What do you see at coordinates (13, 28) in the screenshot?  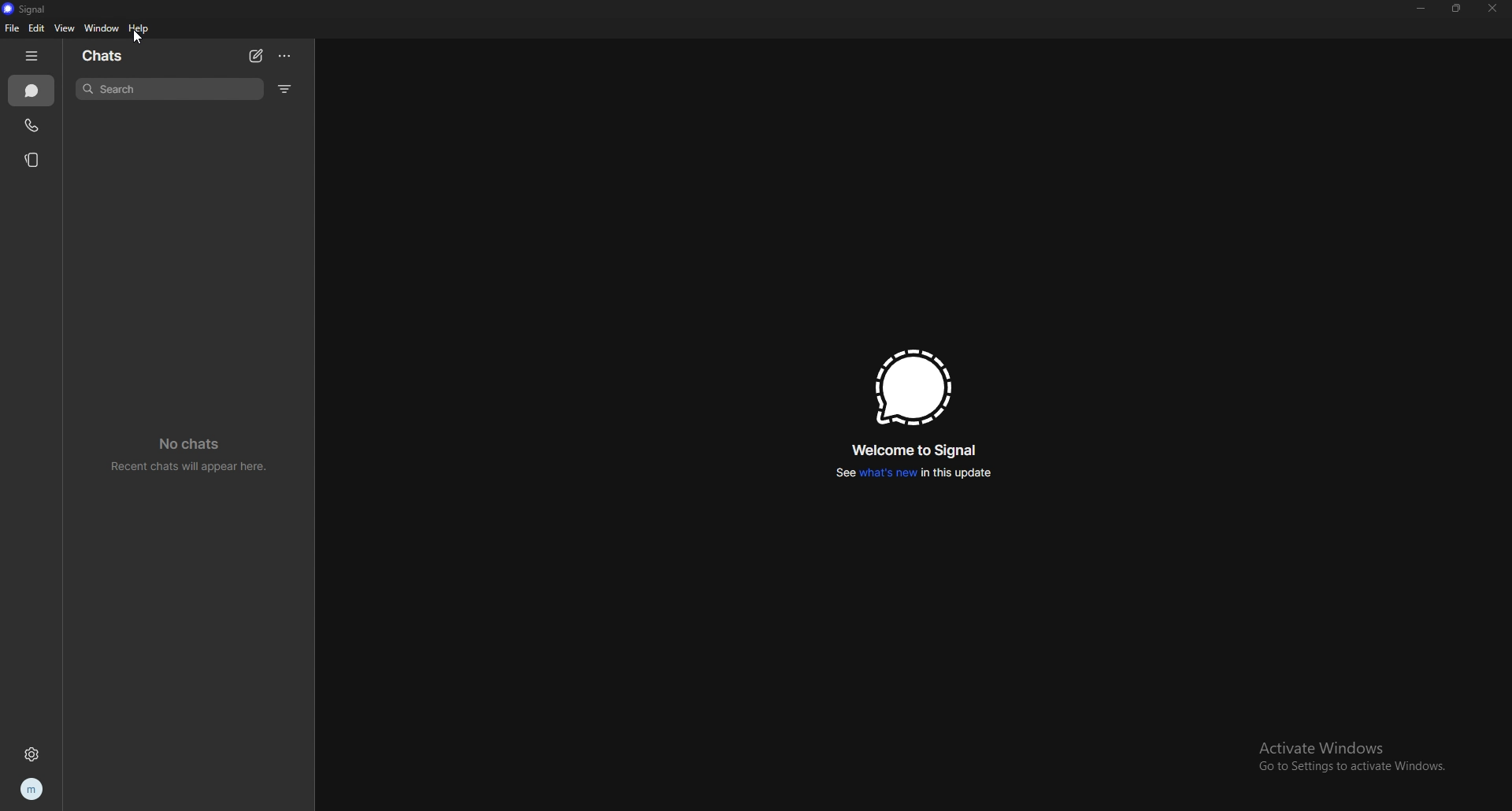 I see `file` at bounding box center [13, 28].